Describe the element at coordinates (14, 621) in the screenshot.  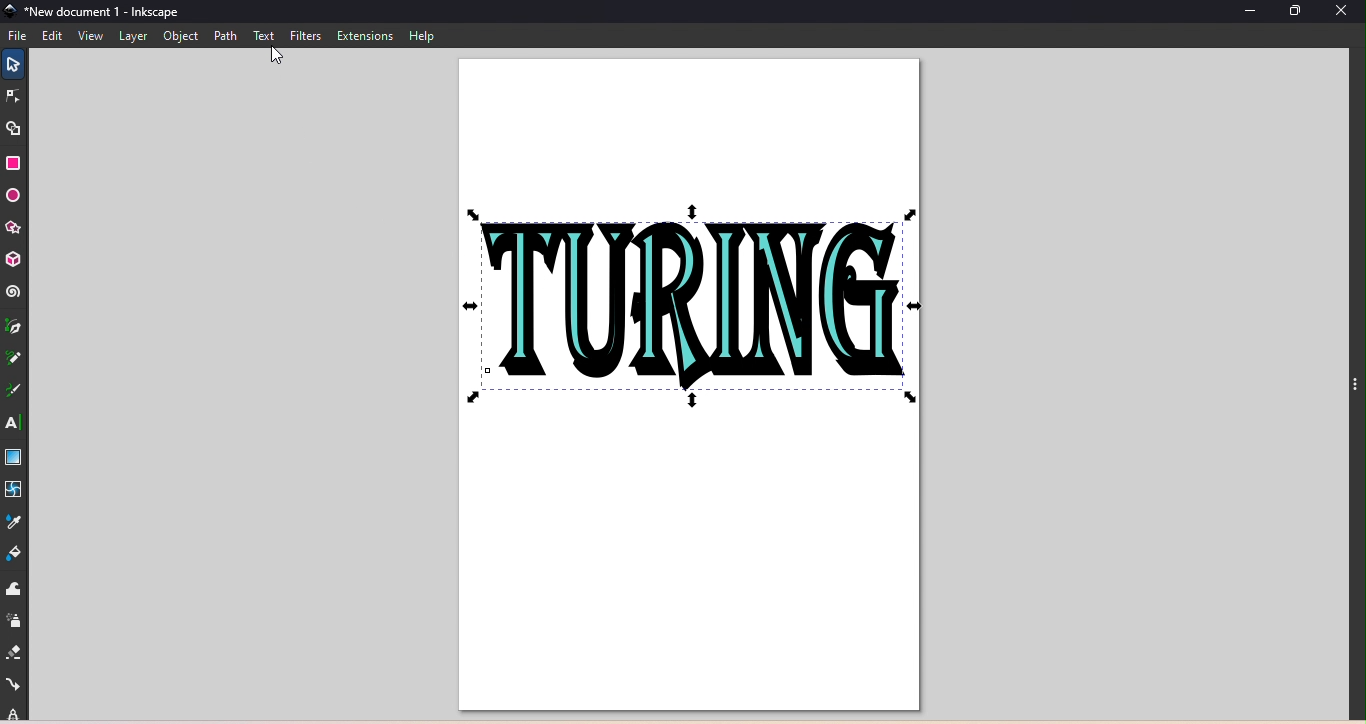
I see `Spray tool` at that location.